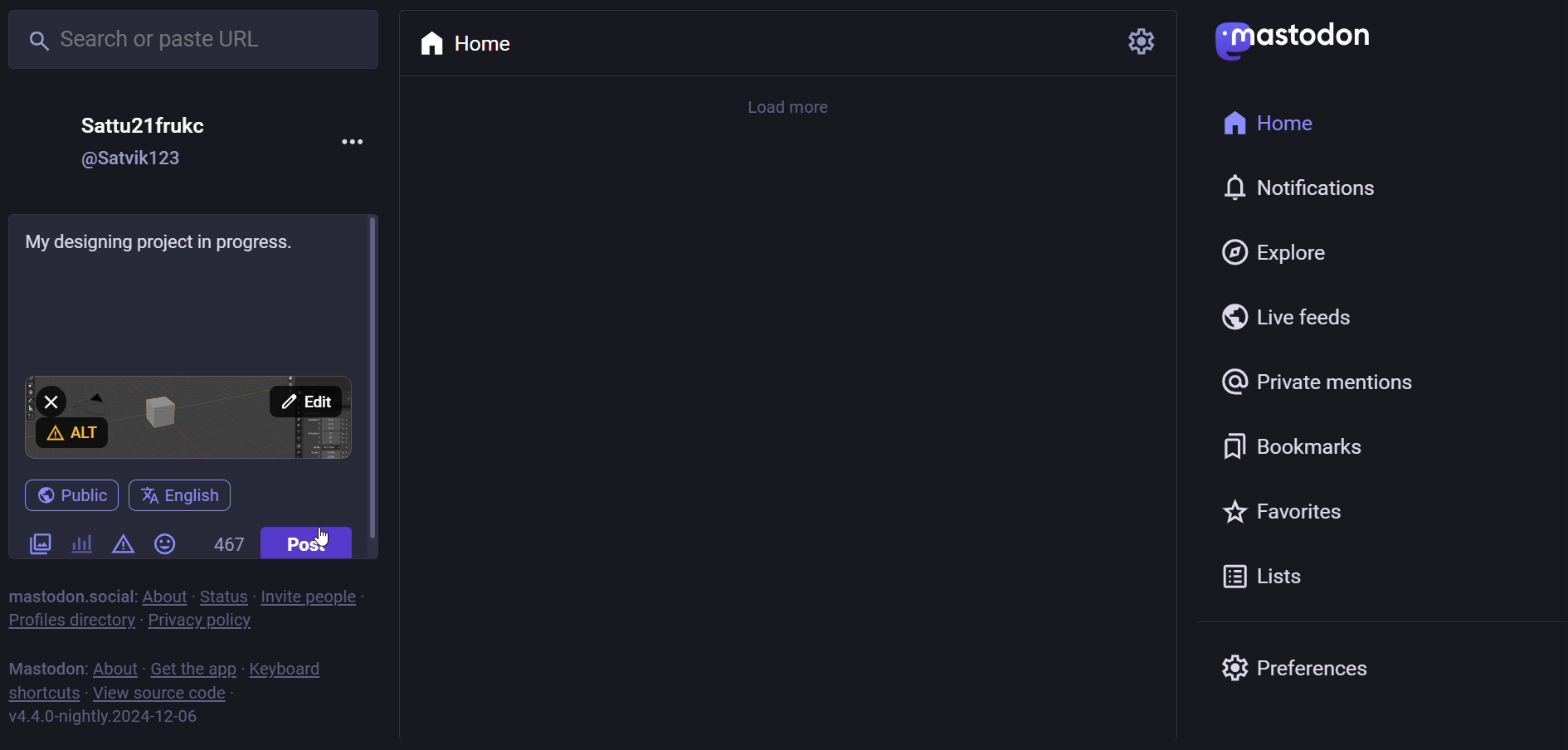 The image size is (1568, 750). What do you see at coordinates (290, 669) in the screenshot?
I see `keyboard` at bounding box center [290, 669].